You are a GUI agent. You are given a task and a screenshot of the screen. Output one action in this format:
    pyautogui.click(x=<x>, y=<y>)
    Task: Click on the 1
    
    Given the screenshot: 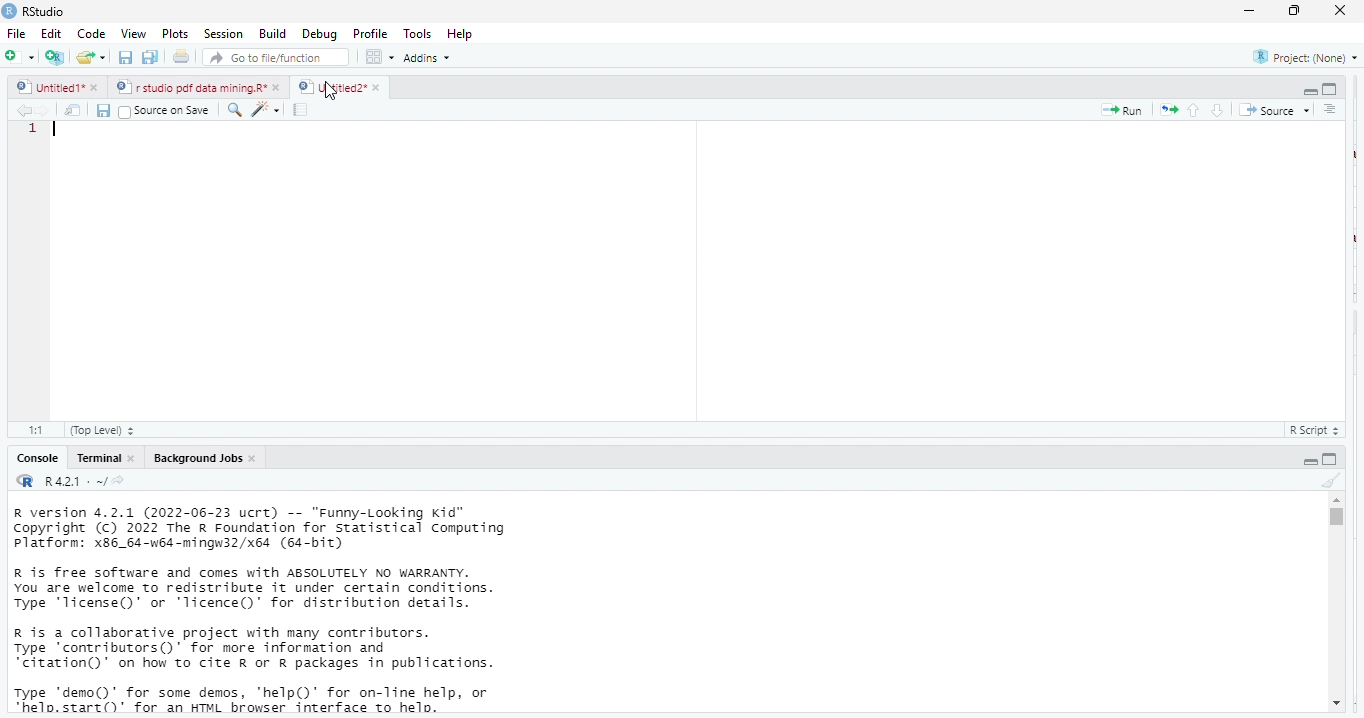 What is the action you would take?
    pyautogui.click(x=35, y=134)
    